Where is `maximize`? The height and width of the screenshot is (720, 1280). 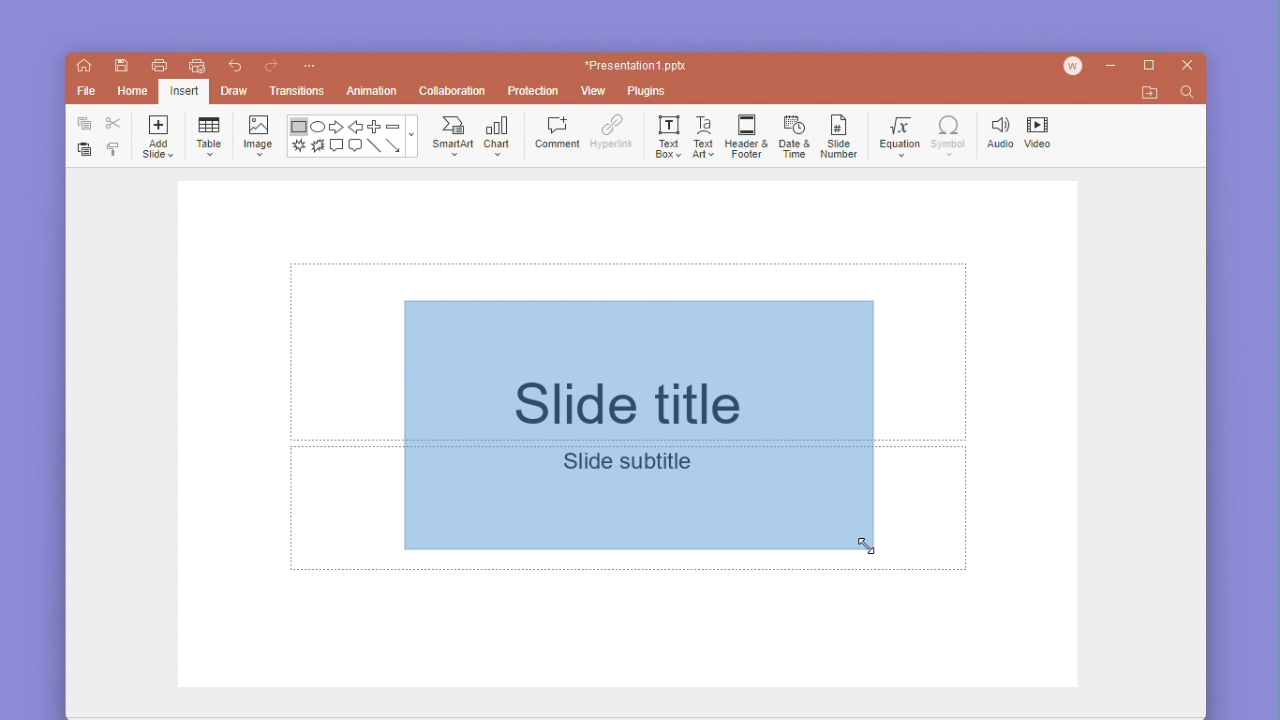
maximize is located at coordinates (1146, 66).